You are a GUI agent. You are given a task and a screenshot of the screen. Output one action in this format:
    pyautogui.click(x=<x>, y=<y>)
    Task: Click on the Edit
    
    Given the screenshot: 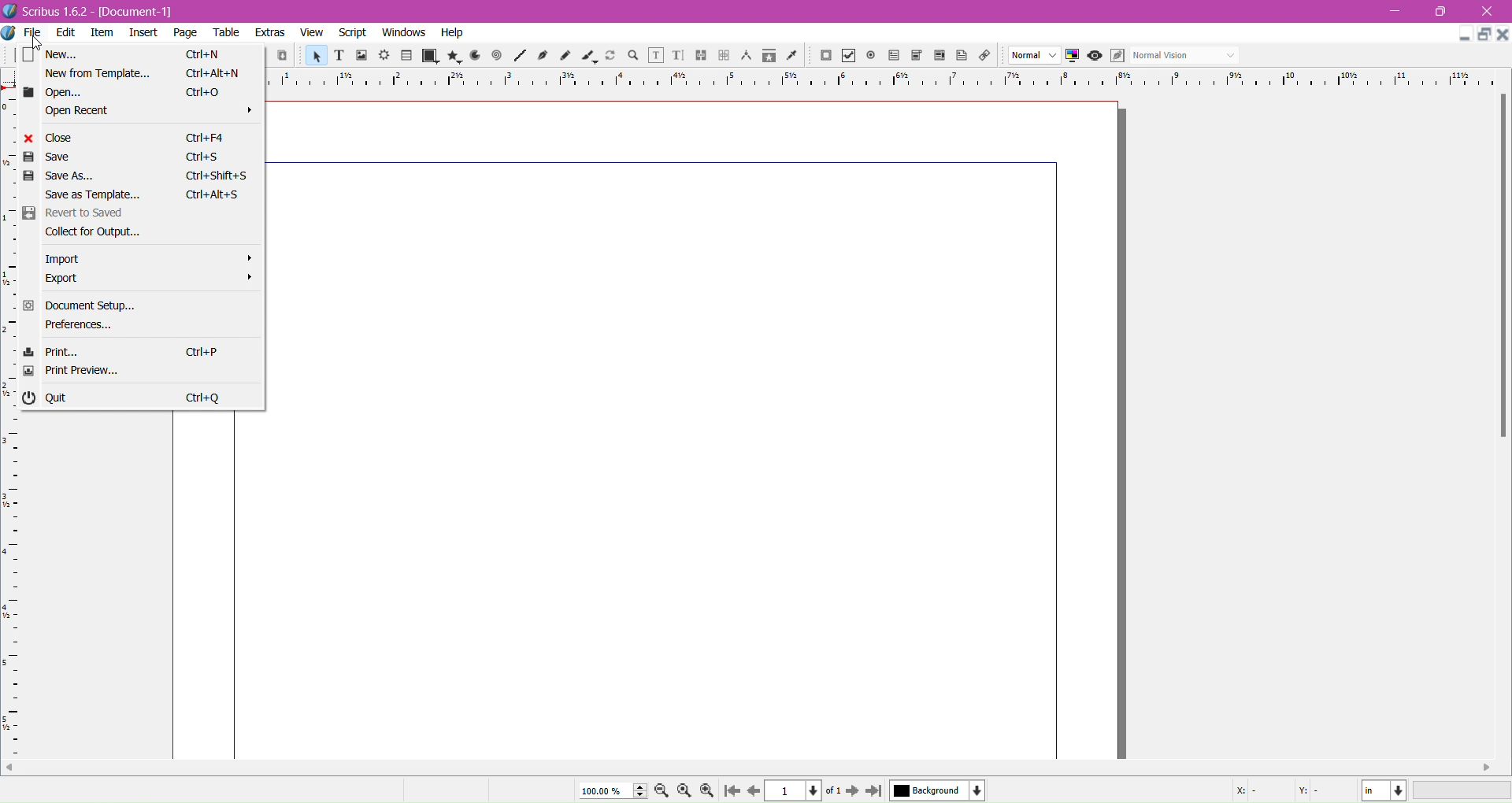 What is the action you would take?
    pyautogui.click(x=66, y=33)
    